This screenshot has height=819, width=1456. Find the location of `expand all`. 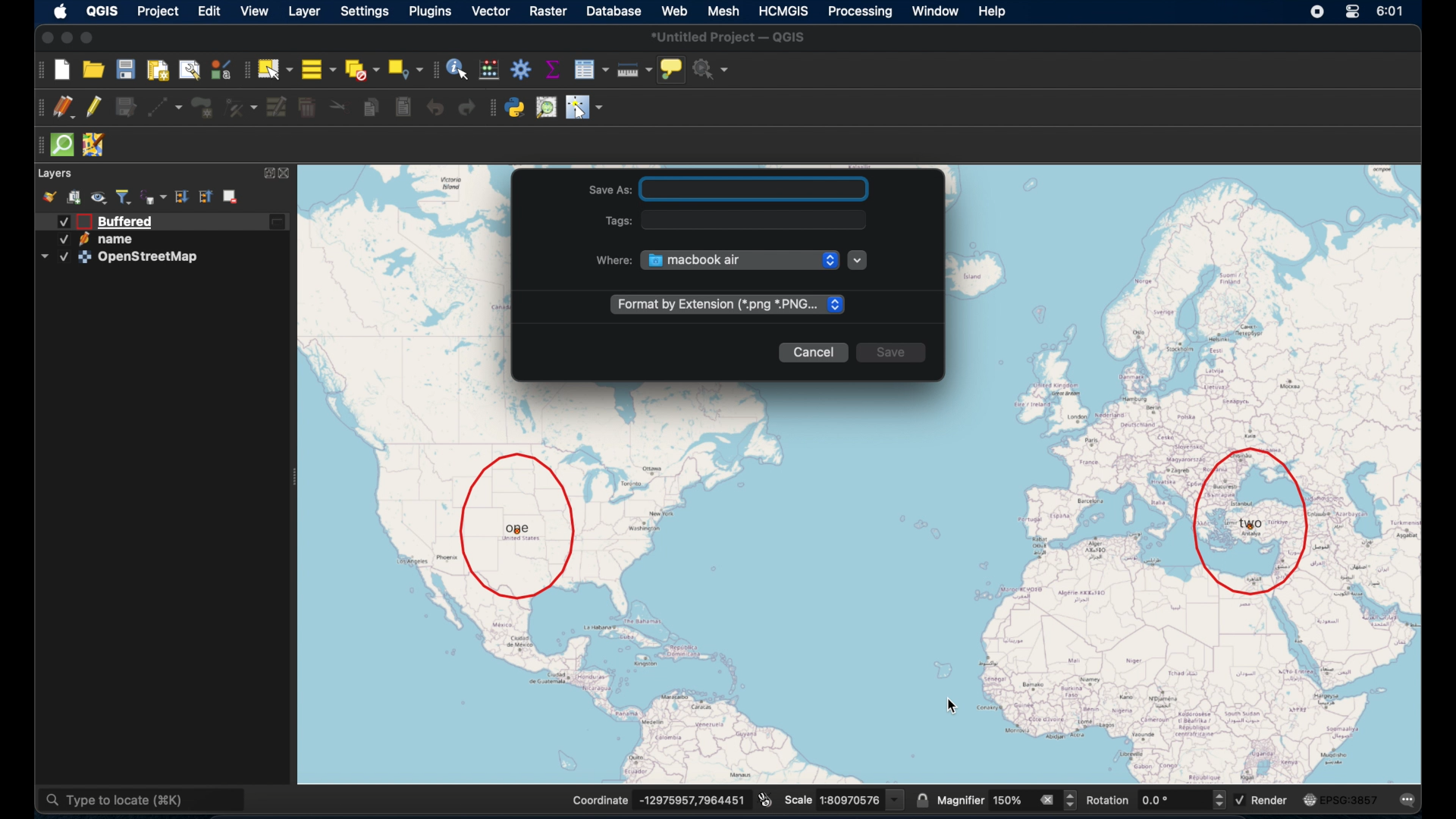

expand all is located at coordinates (181, 196).